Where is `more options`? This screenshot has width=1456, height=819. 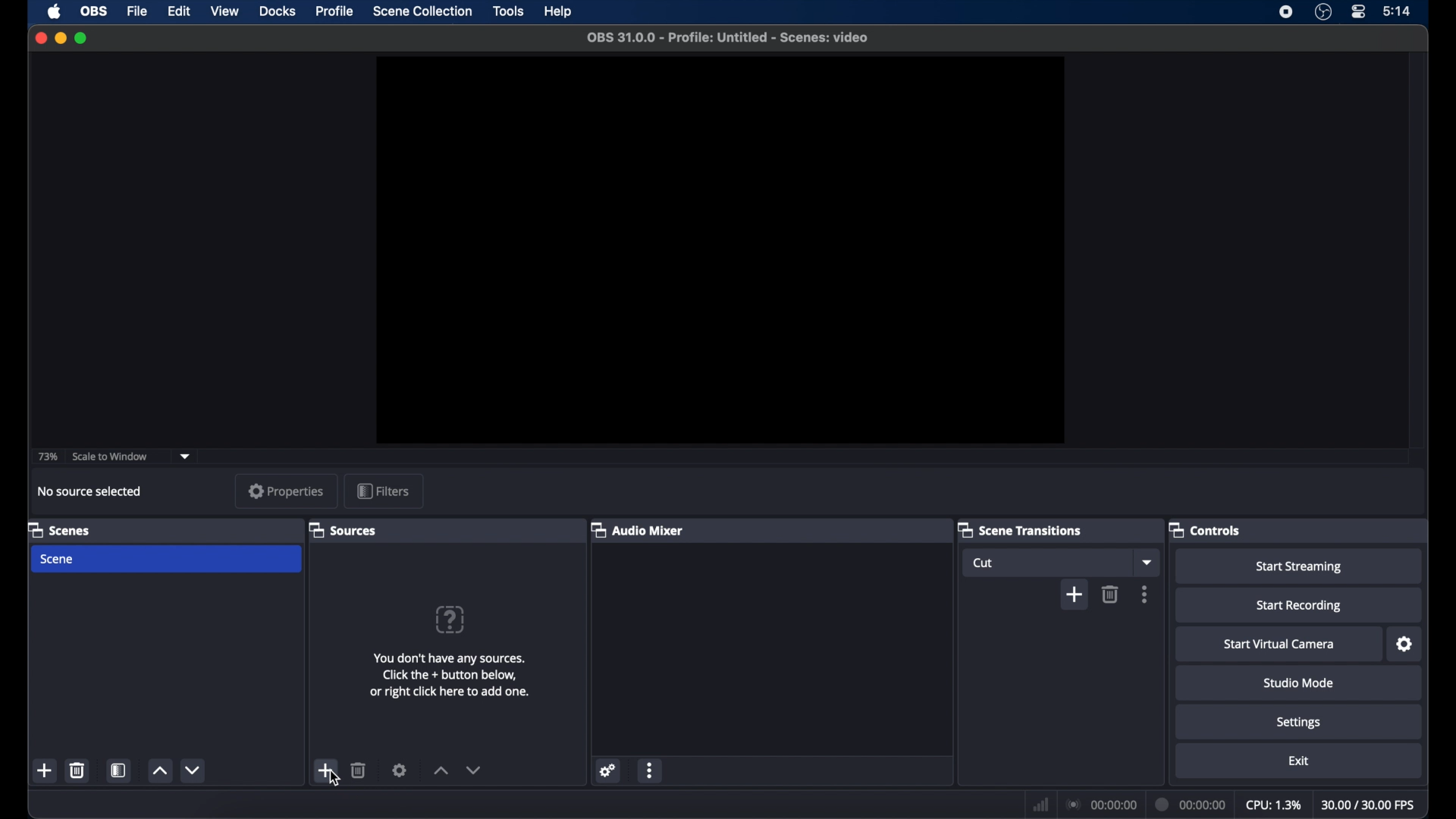 more options is located at coordinates (651, 770).